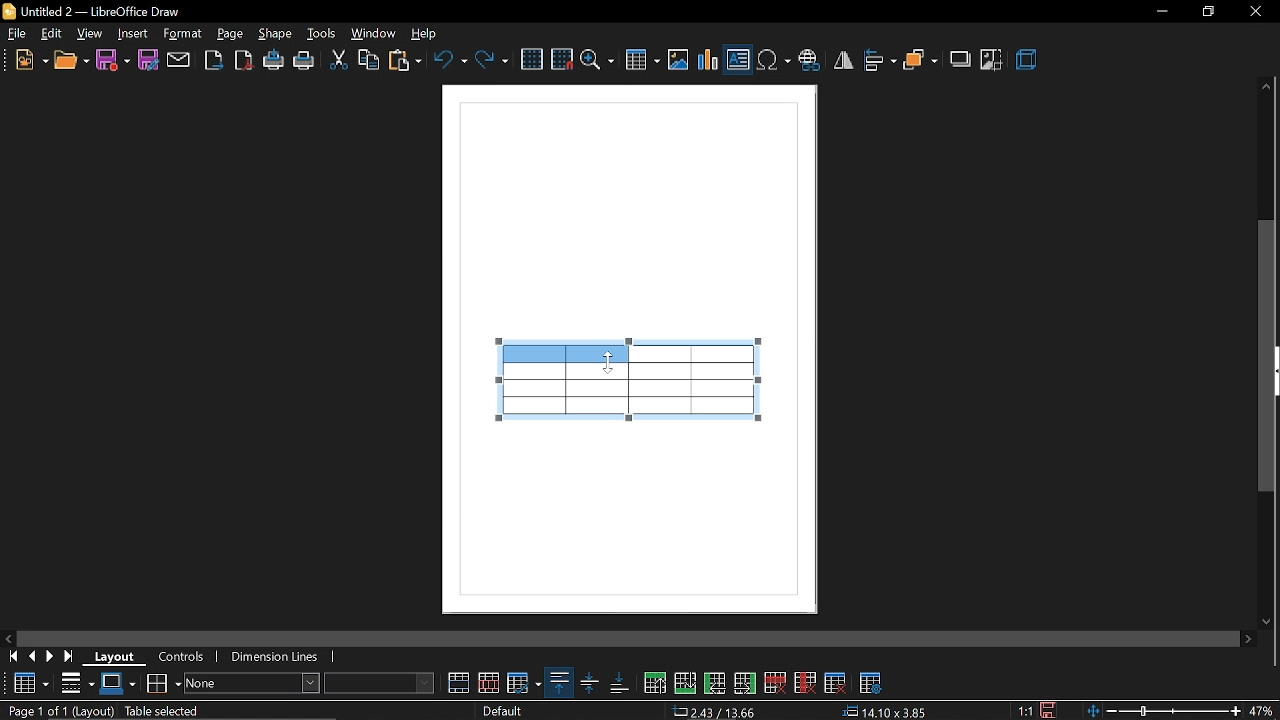 The width and height of the screenshot is (1280, 720). Describe the element at coordinates (870, 680) in the screenshot. I see `table properties` at that location.